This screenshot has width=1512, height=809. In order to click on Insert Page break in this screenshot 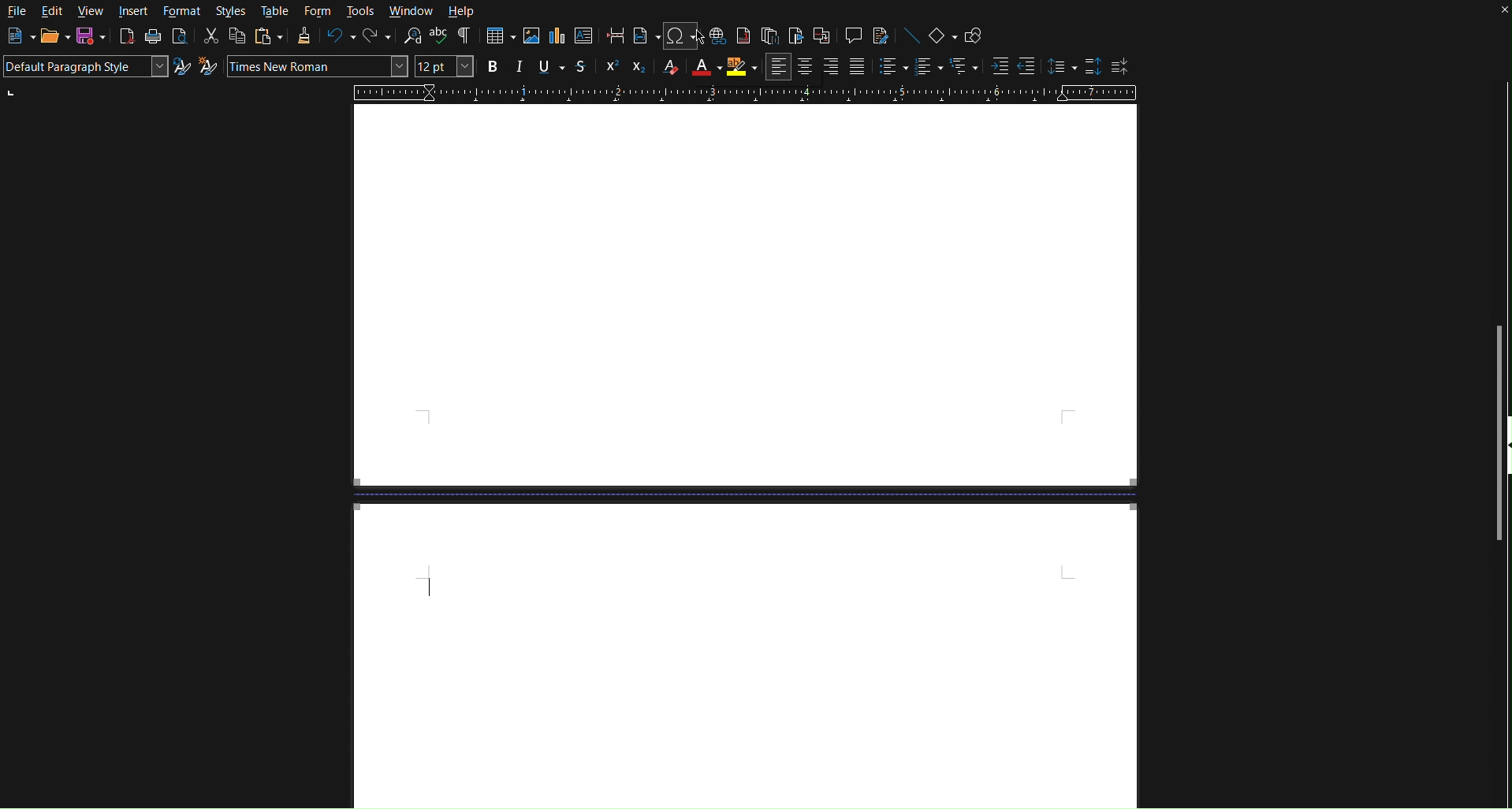, I will do `click(616, 36)`.